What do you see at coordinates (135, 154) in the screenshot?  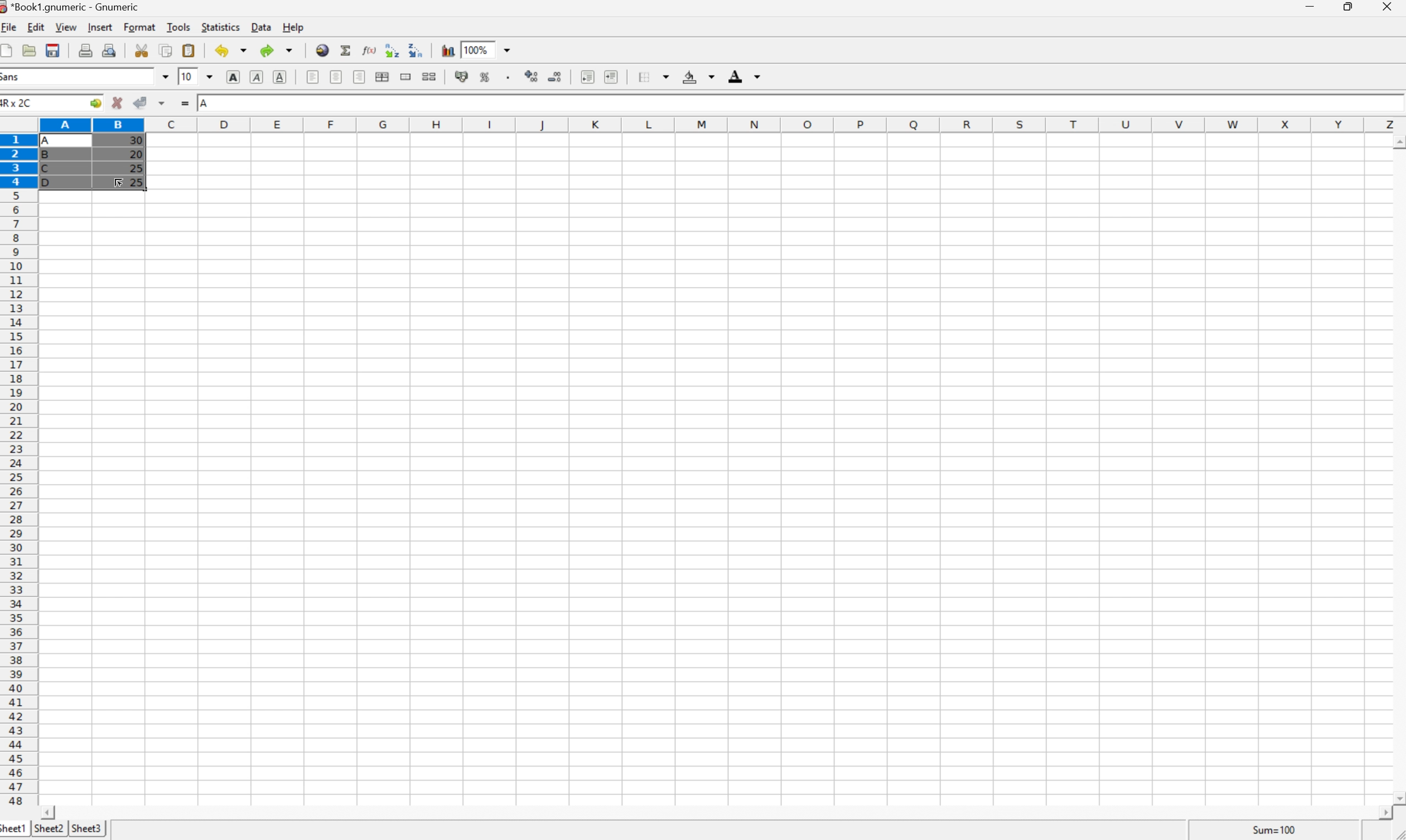 I see `20` at bounding box center [135, 154].